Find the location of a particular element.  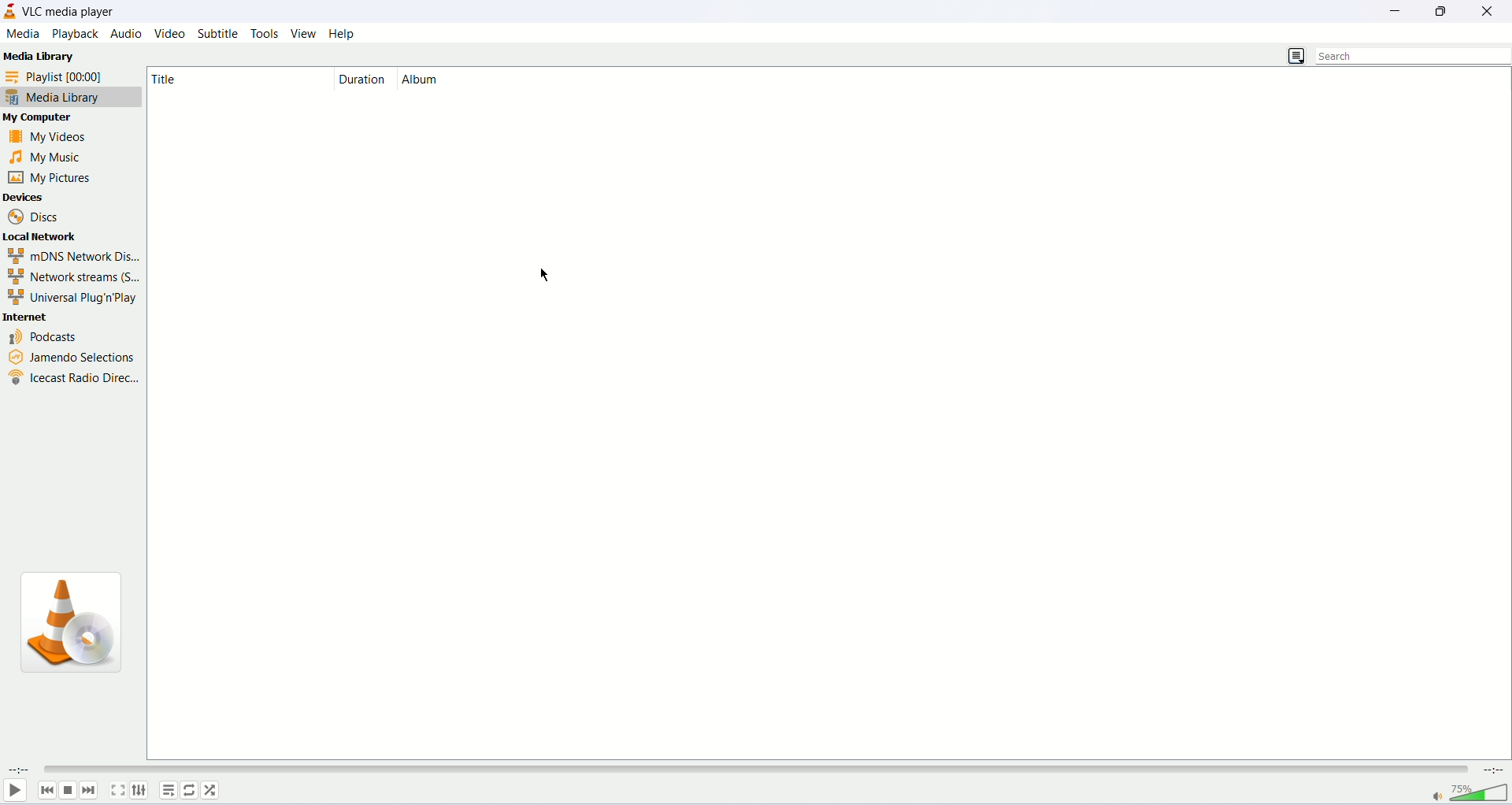

stop is located at coordinates (69, 792).